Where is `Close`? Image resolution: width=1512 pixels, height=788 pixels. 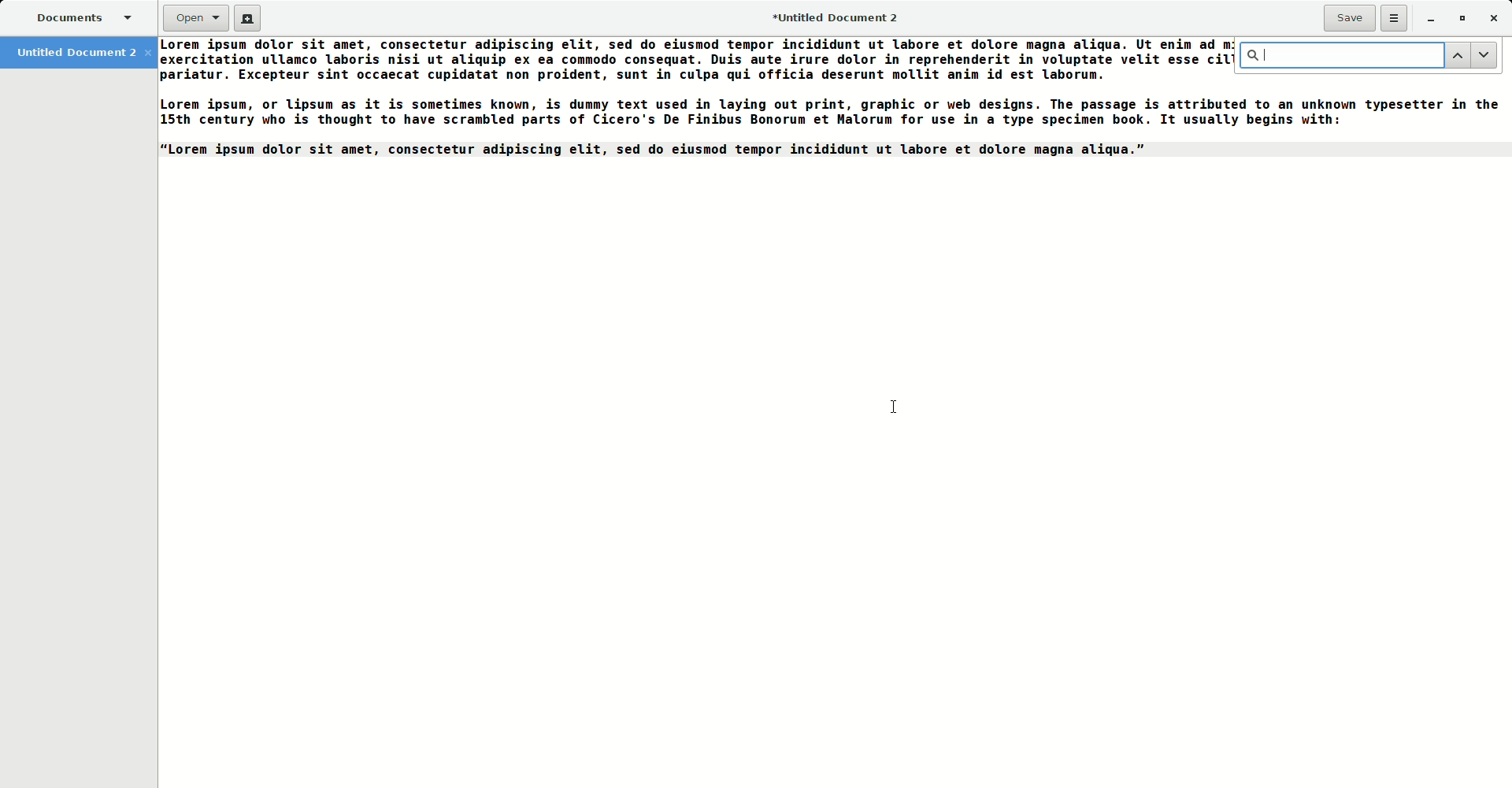
Close is located at coordinates (1495, 19).